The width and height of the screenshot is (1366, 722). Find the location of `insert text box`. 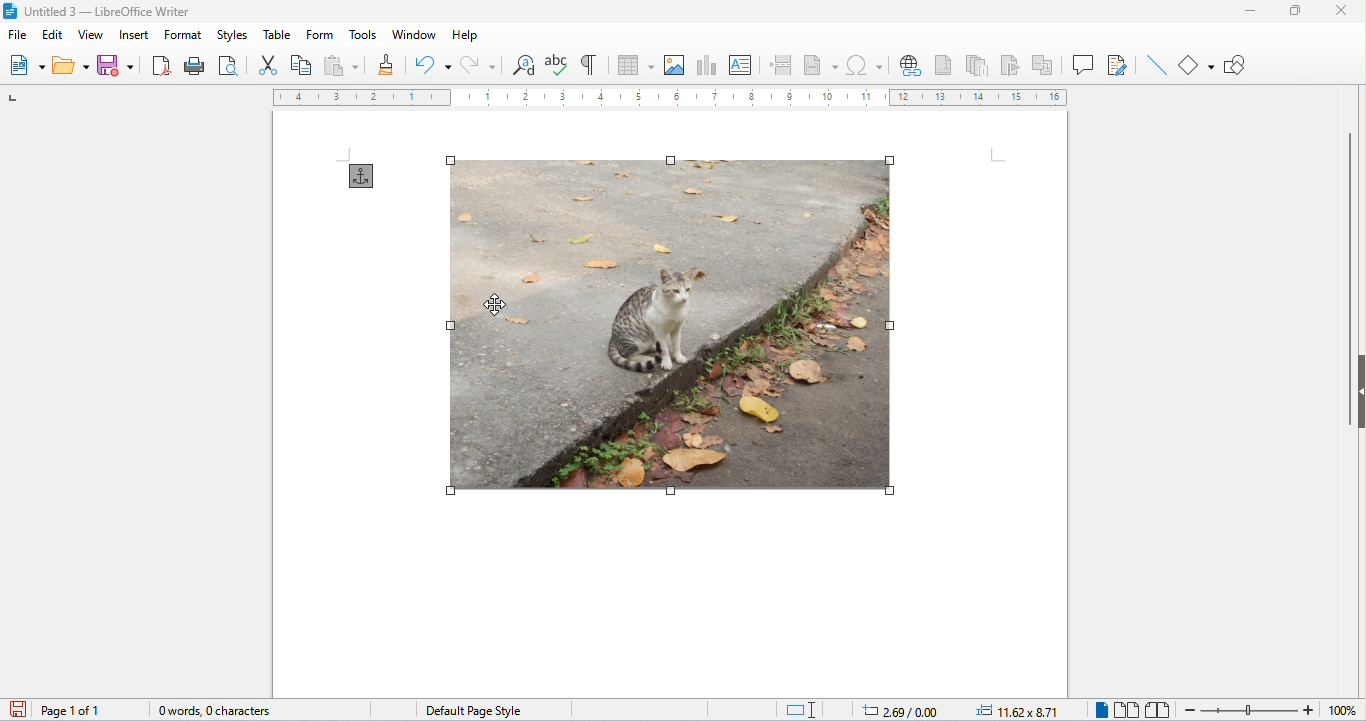

insert text box is located at coordinates (742, 66).